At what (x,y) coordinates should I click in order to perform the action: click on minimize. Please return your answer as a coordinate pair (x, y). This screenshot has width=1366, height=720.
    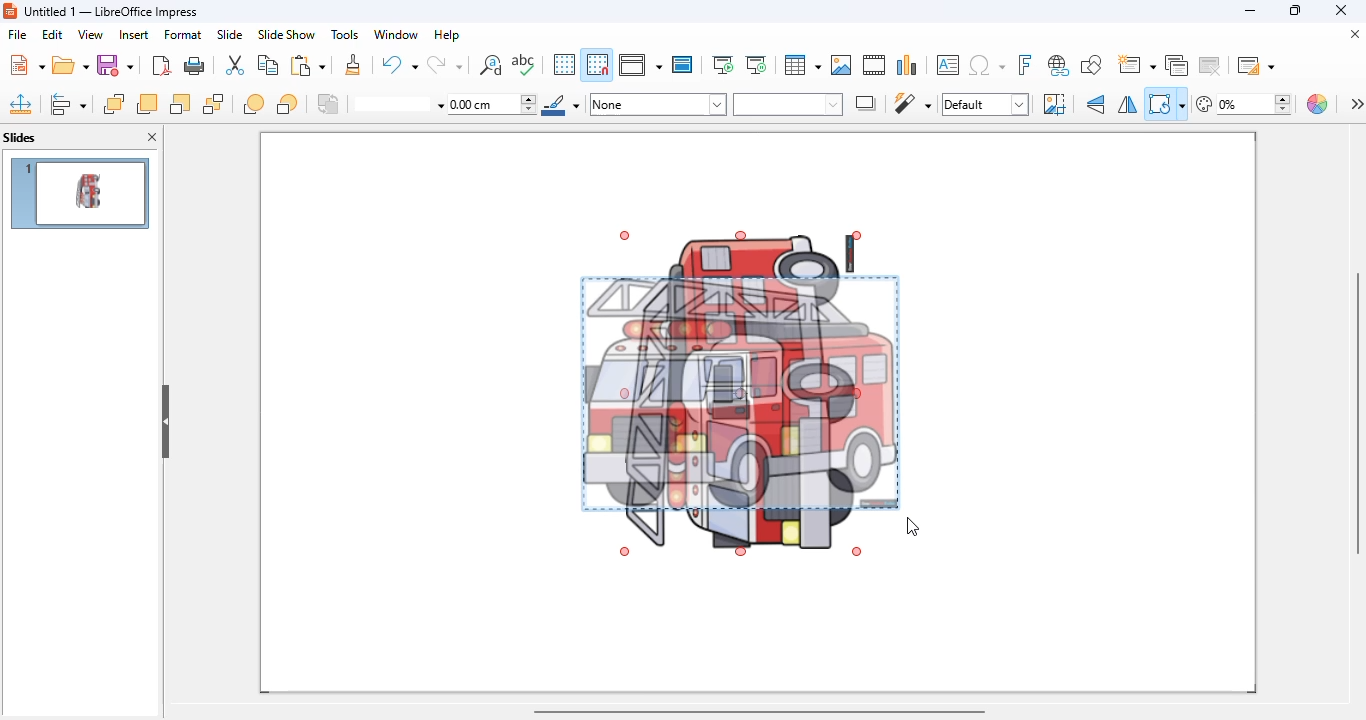
    Looking at the image, I should click on (1251, 10).